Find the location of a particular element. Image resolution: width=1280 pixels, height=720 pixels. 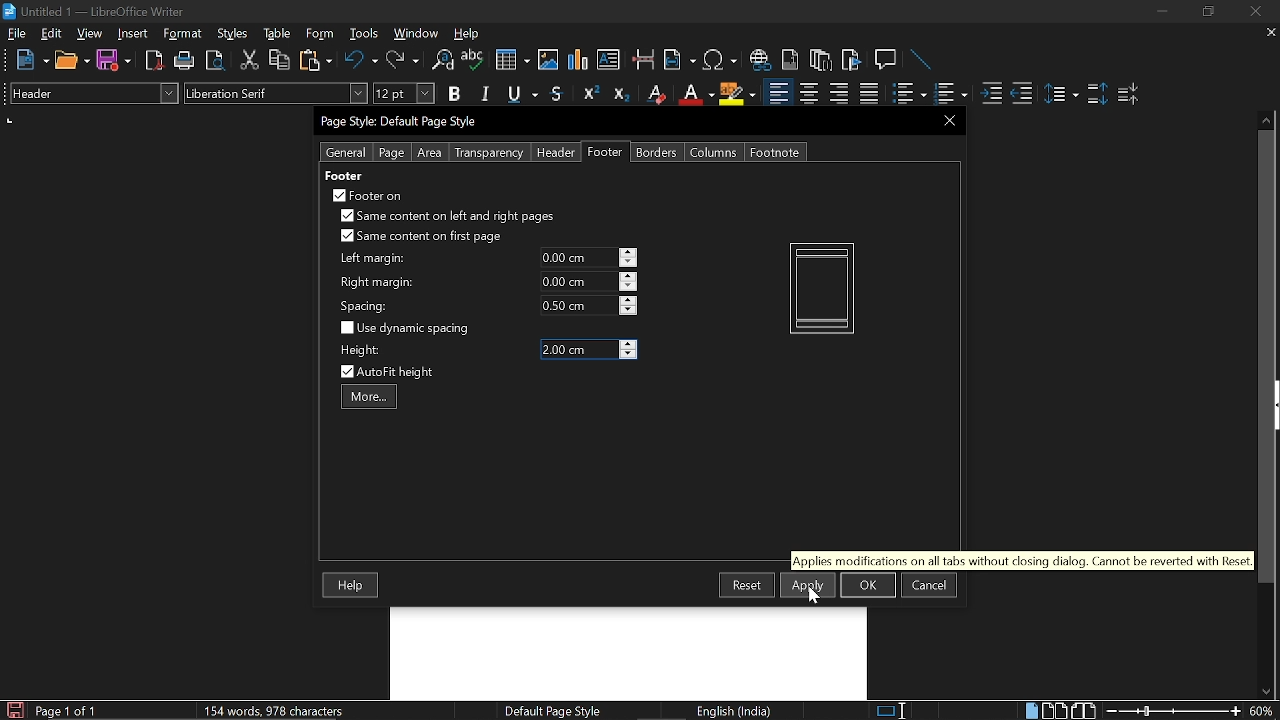

Print is located at coordinates (185, 61).